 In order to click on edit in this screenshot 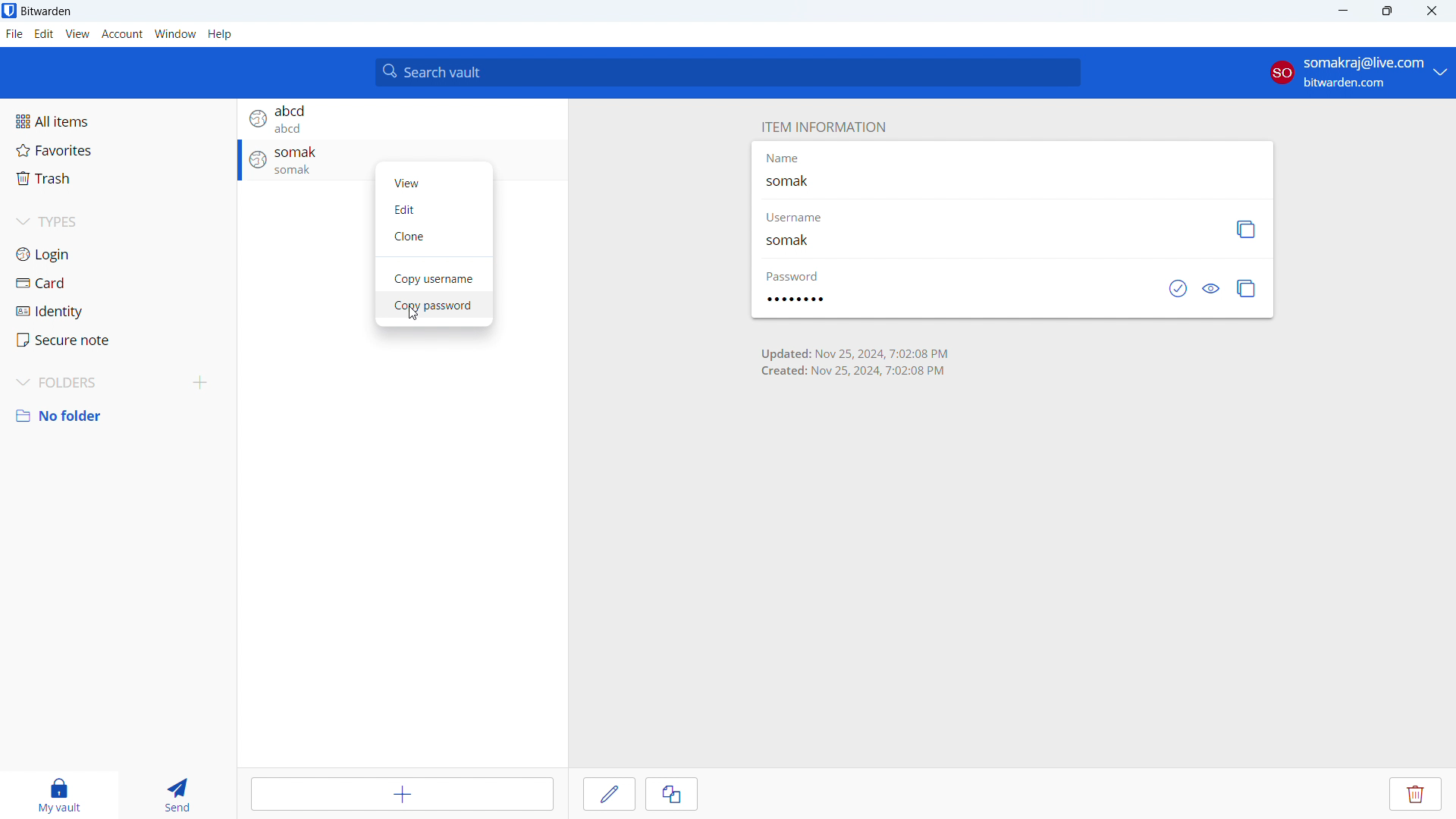, I will do `click(45, 34)`.